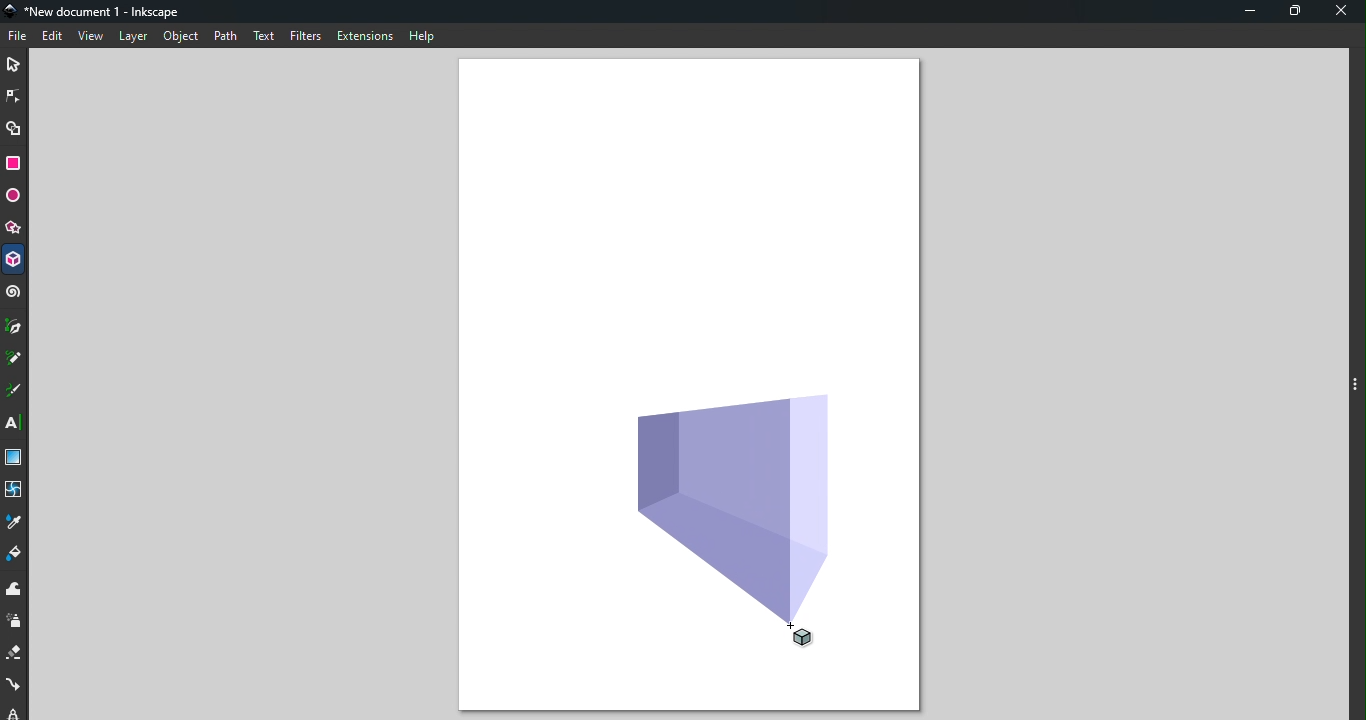 The image size is (1366, 720). I want to click on Object, so click(178, 39).